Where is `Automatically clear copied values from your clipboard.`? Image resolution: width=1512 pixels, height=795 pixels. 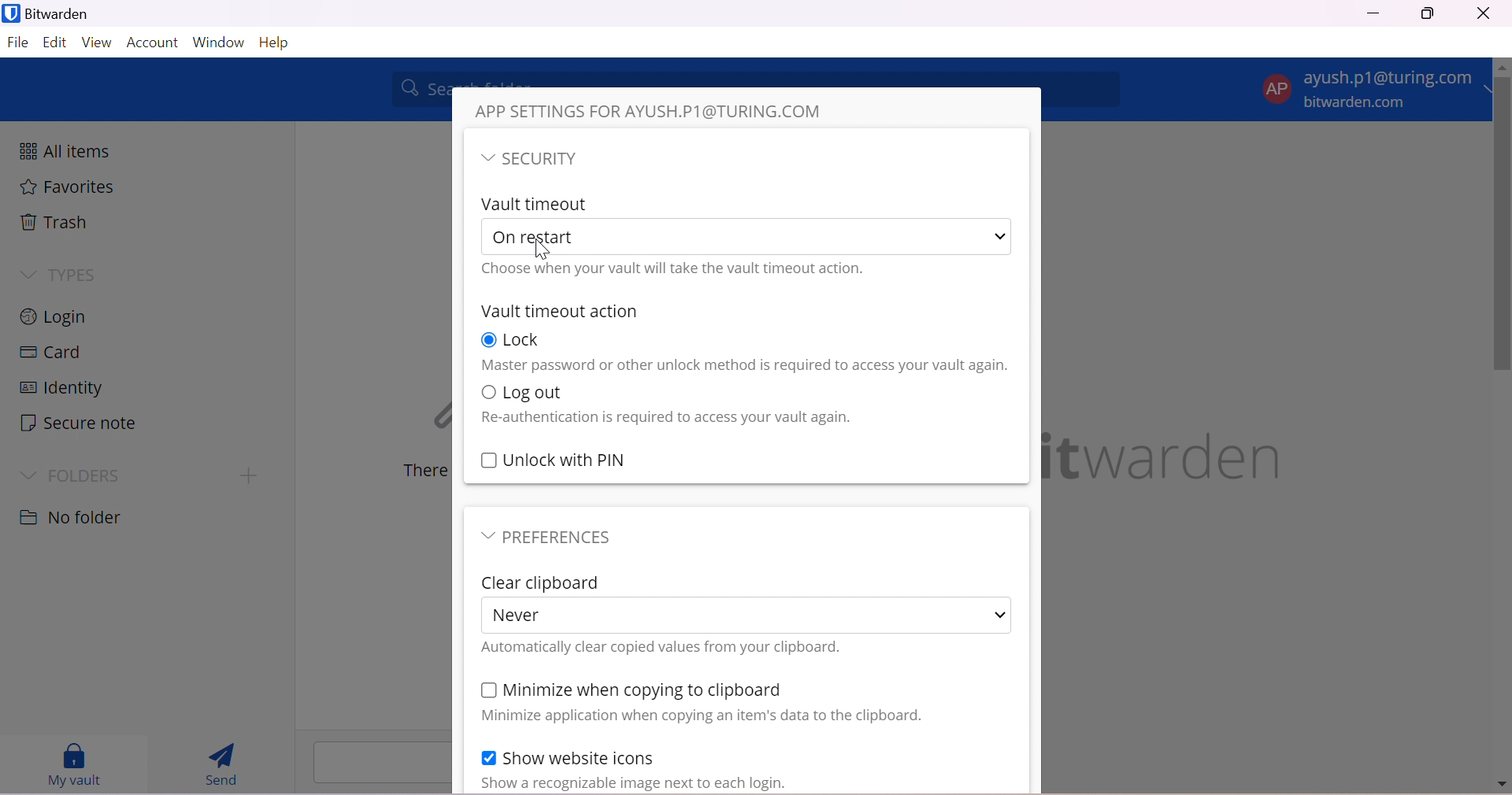
Automatically clear copied values from your clipboard. is located at coordinates (660, 647).